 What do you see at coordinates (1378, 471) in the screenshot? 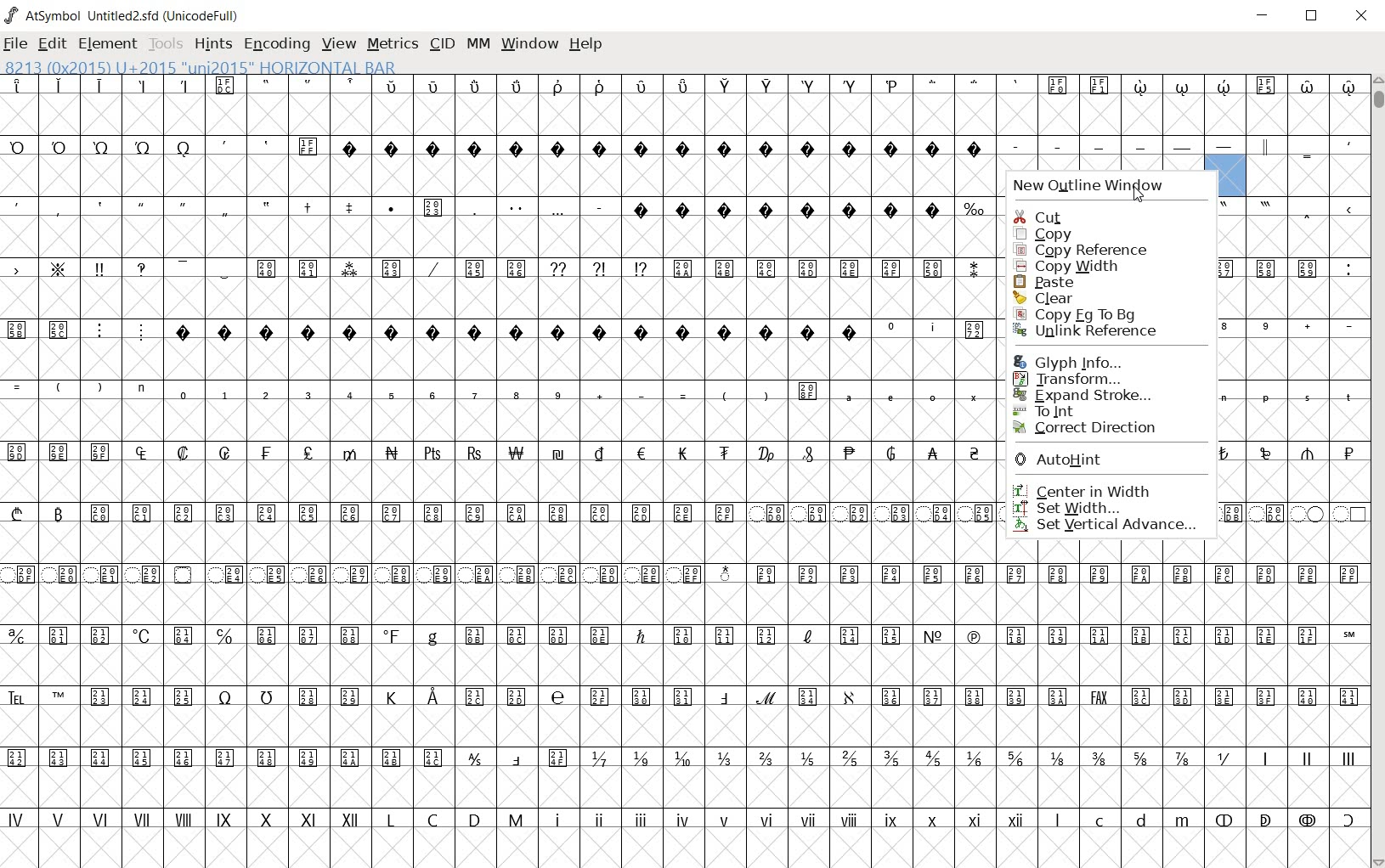
I see `SCROLLBAR` at bounding box center [1378, 471].